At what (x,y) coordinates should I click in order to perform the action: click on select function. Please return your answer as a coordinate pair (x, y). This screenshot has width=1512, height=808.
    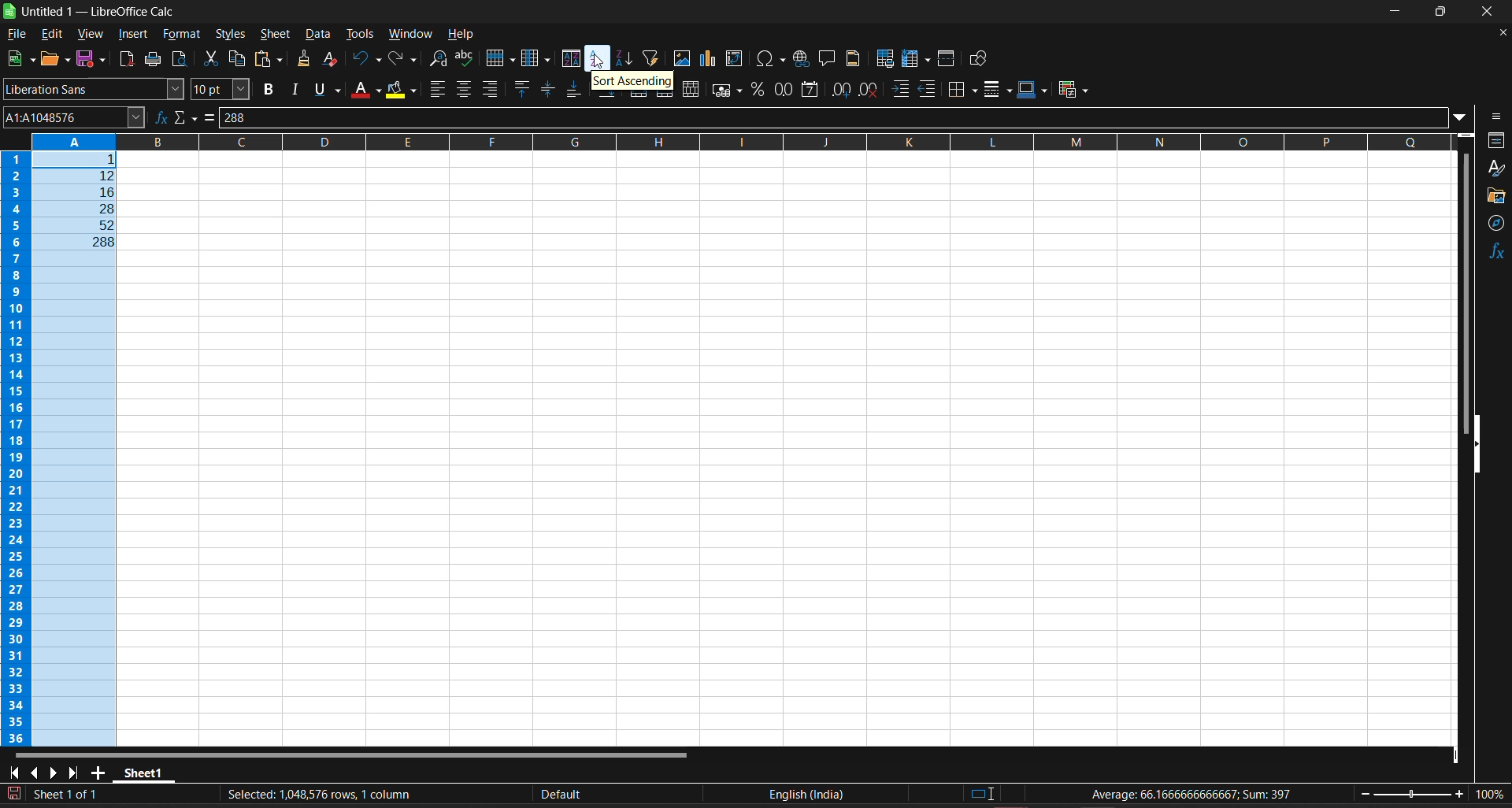
    Looking at the image, I should click on (186, 118).